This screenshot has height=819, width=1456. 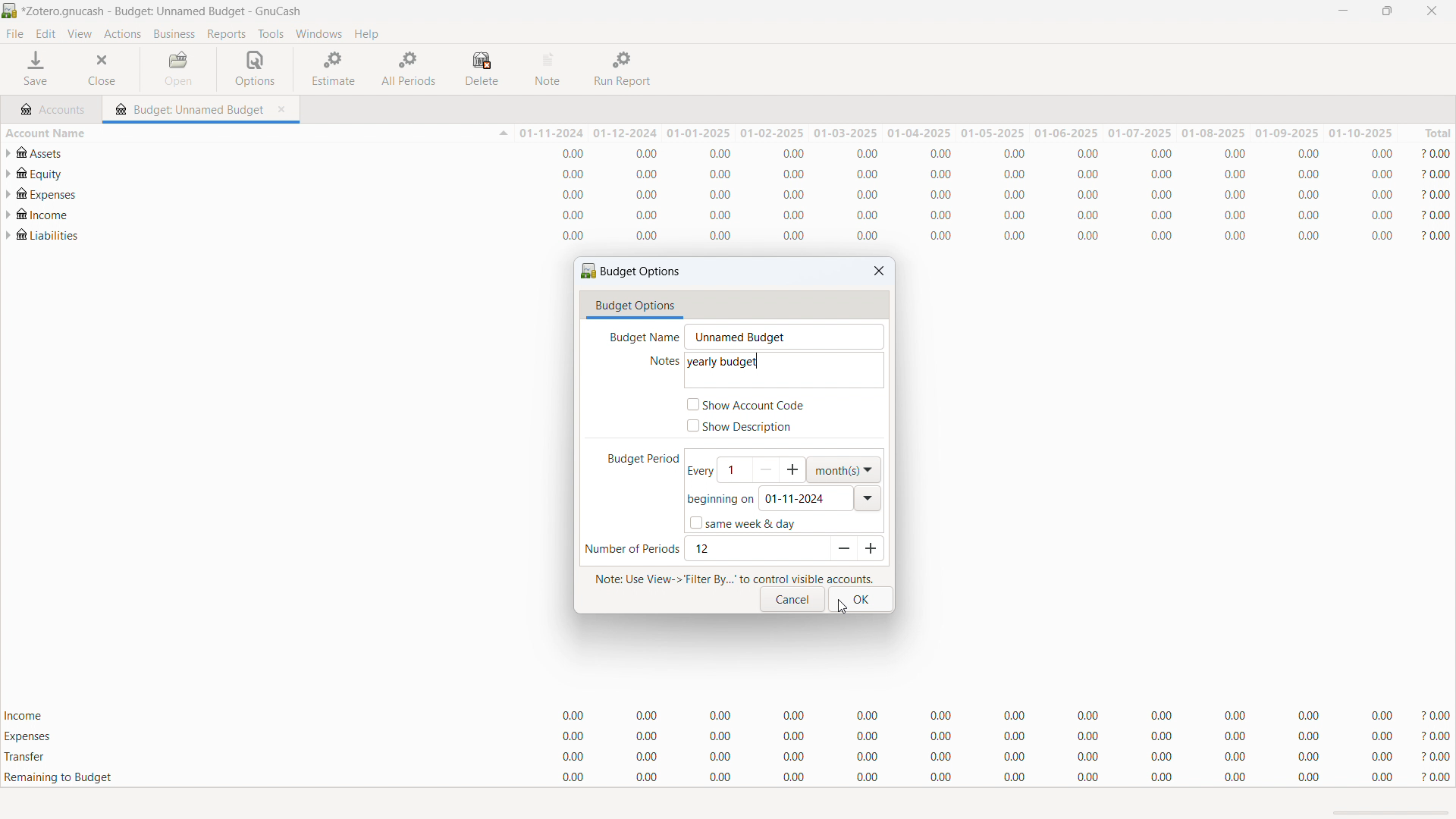 I want to click on Income totals, so click(x=728, y=717).